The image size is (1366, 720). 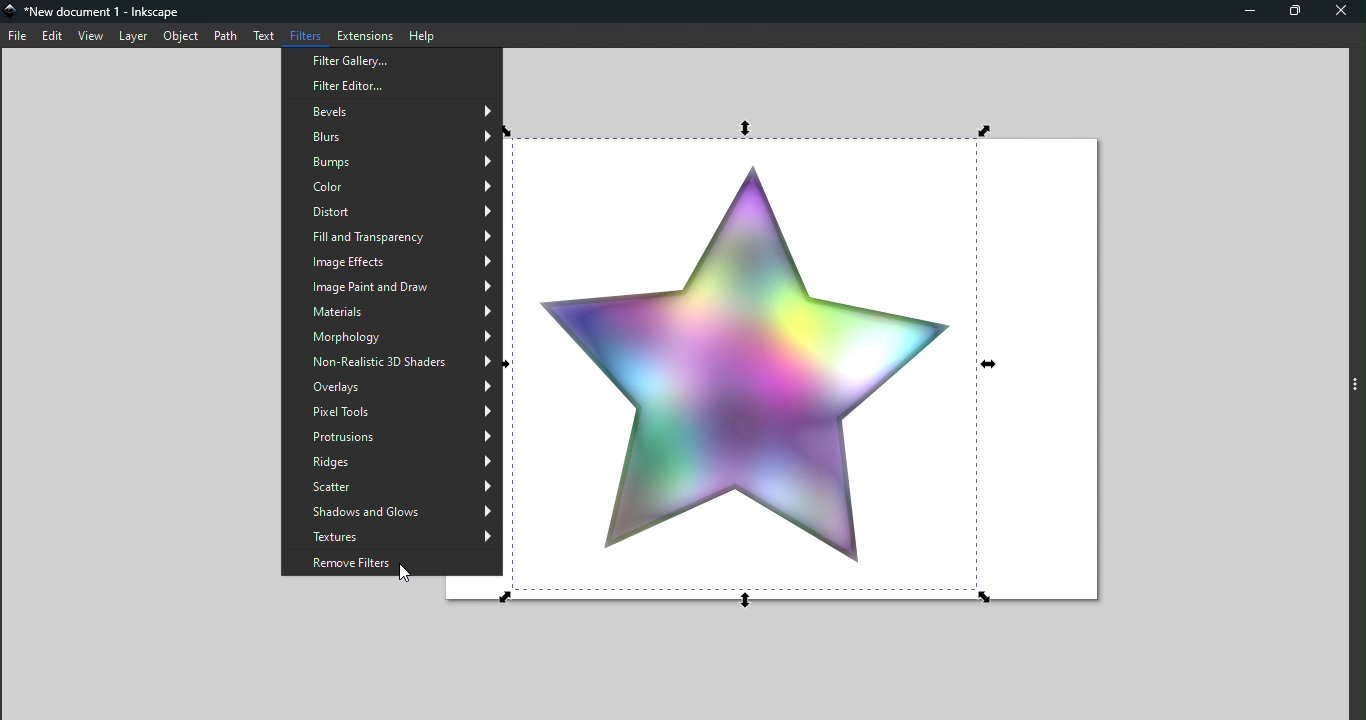 I want to click on Protrusions, so click(x=393, y=434).